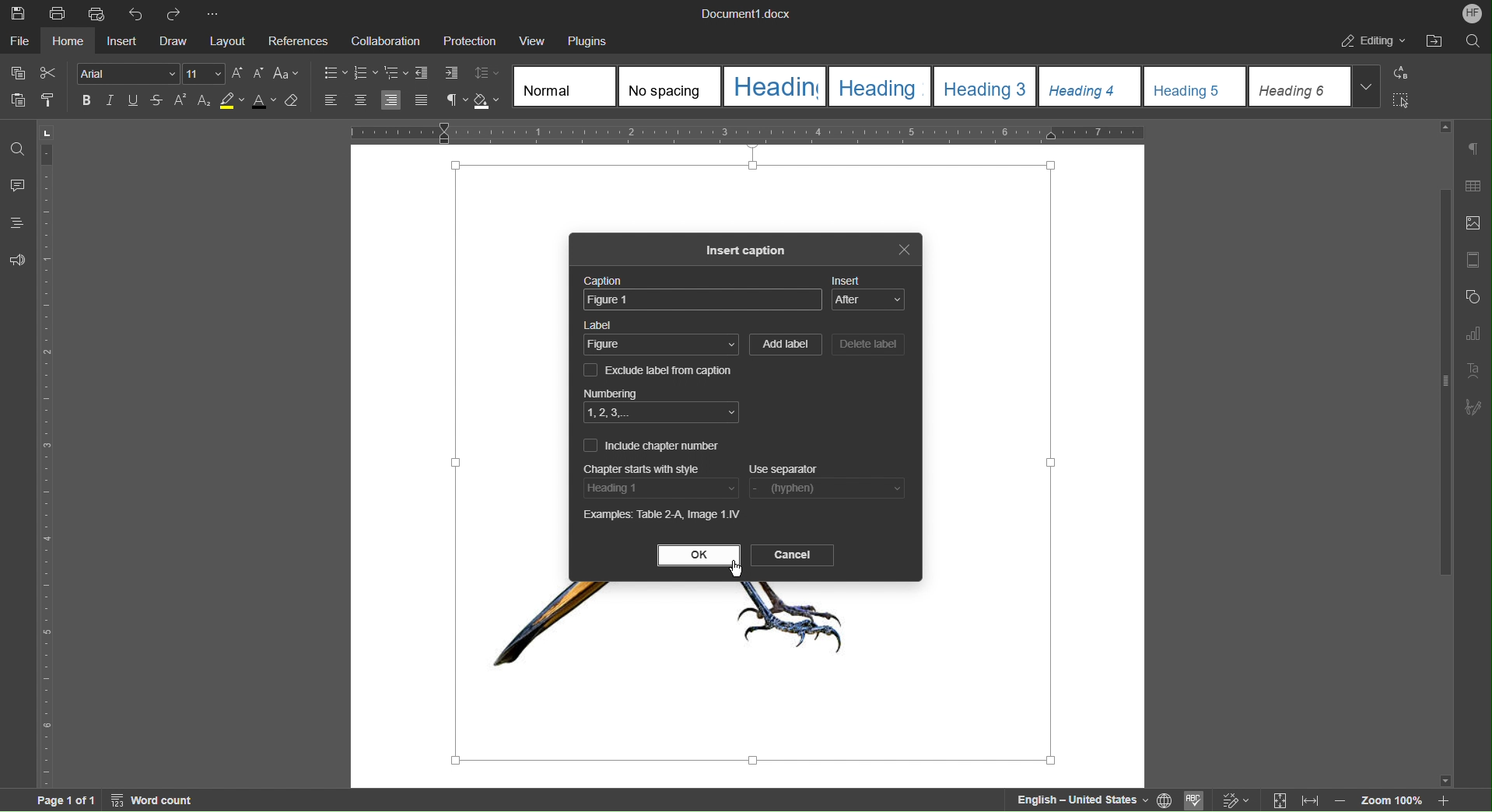 This screenshot has width=1492, height=812. What do you see at coordinates (68, 43) in the screenshot?
I see `Home` at bounding box center [68, 43].